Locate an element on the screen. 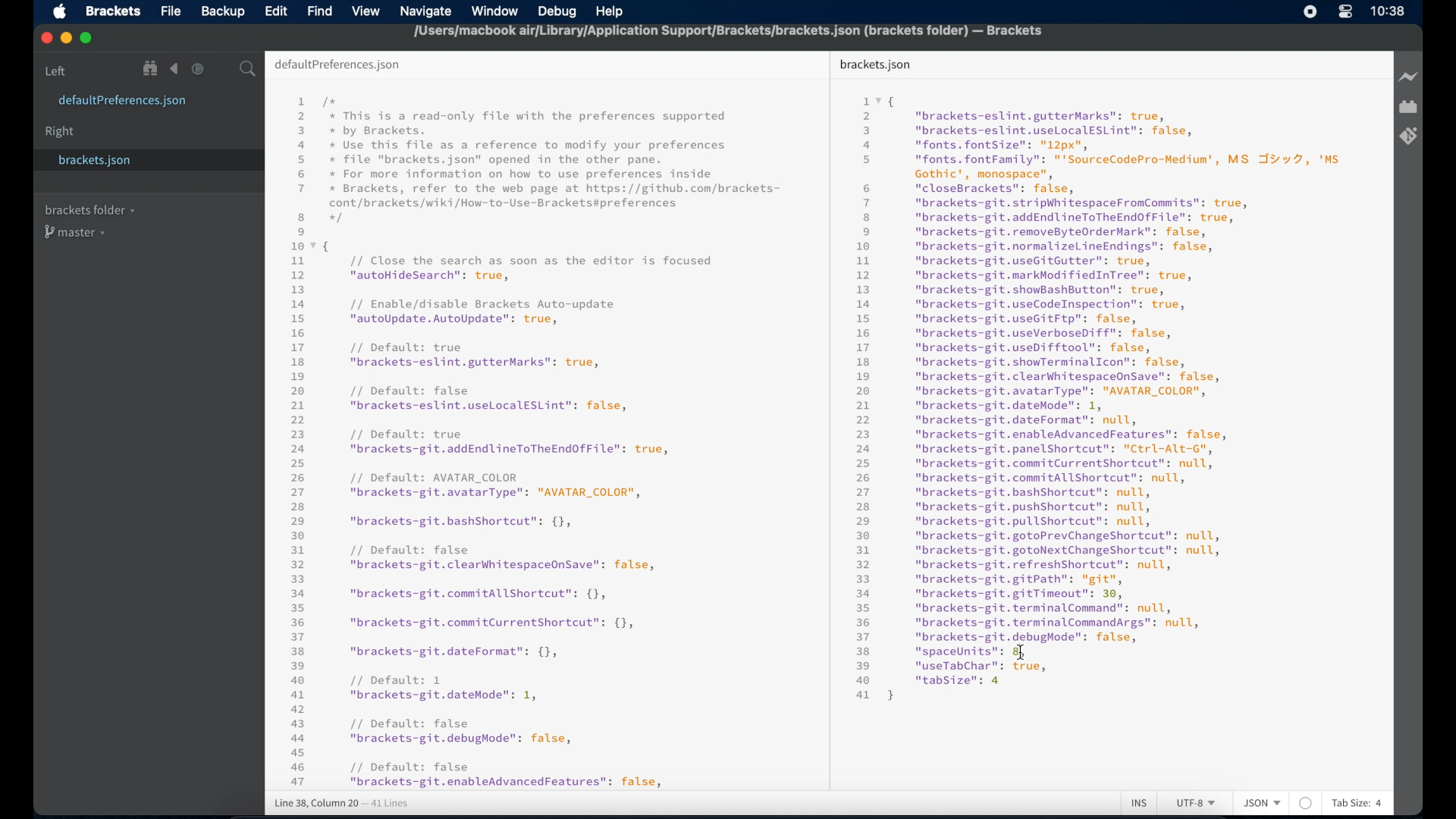  backup is located at coordinates (223, 11).